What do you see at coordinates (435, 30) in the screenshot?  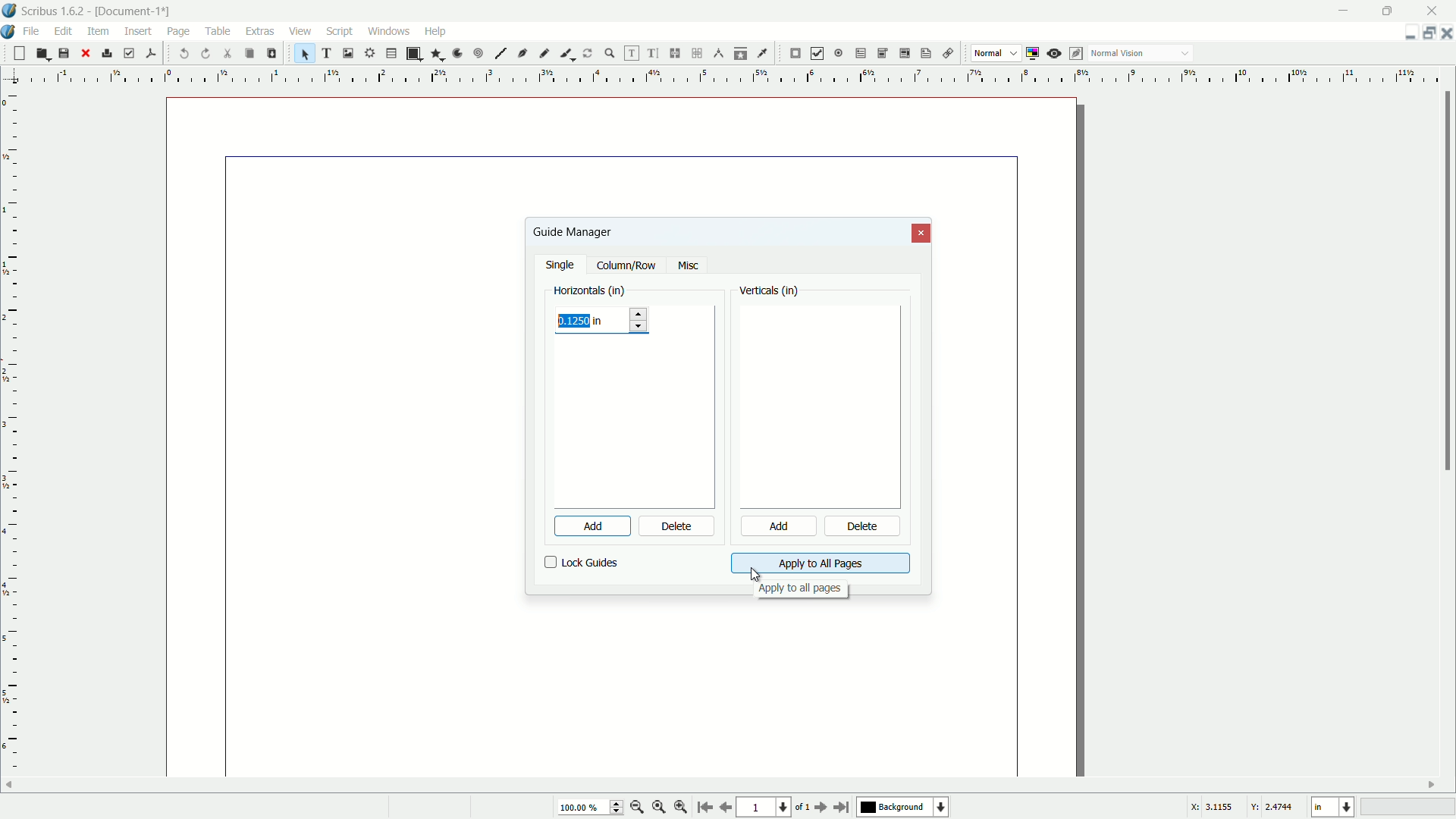 I see `help menu` at bounding box center [435, 30].